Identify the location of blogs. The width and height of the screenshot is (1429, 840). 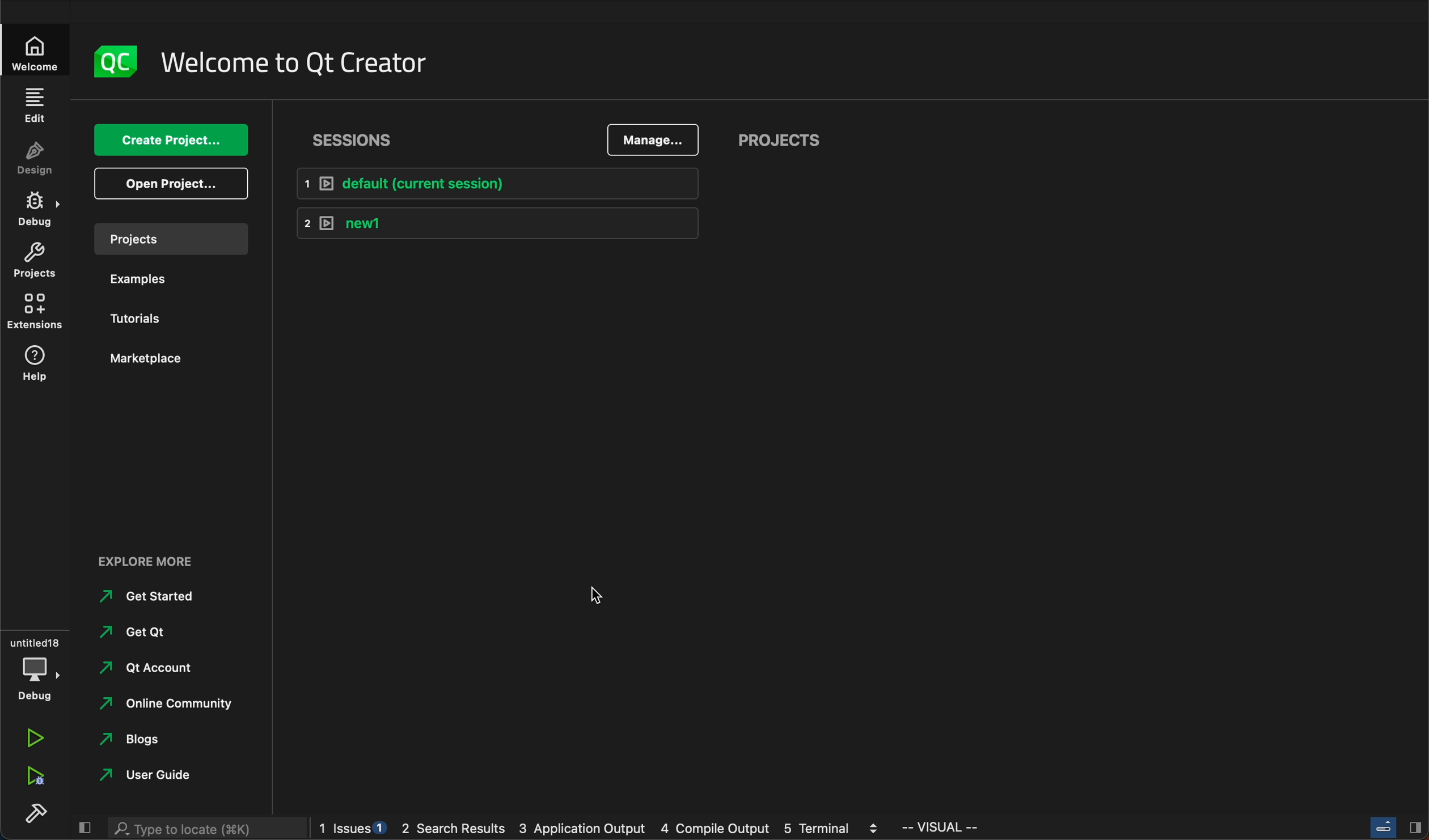
(147, 742).